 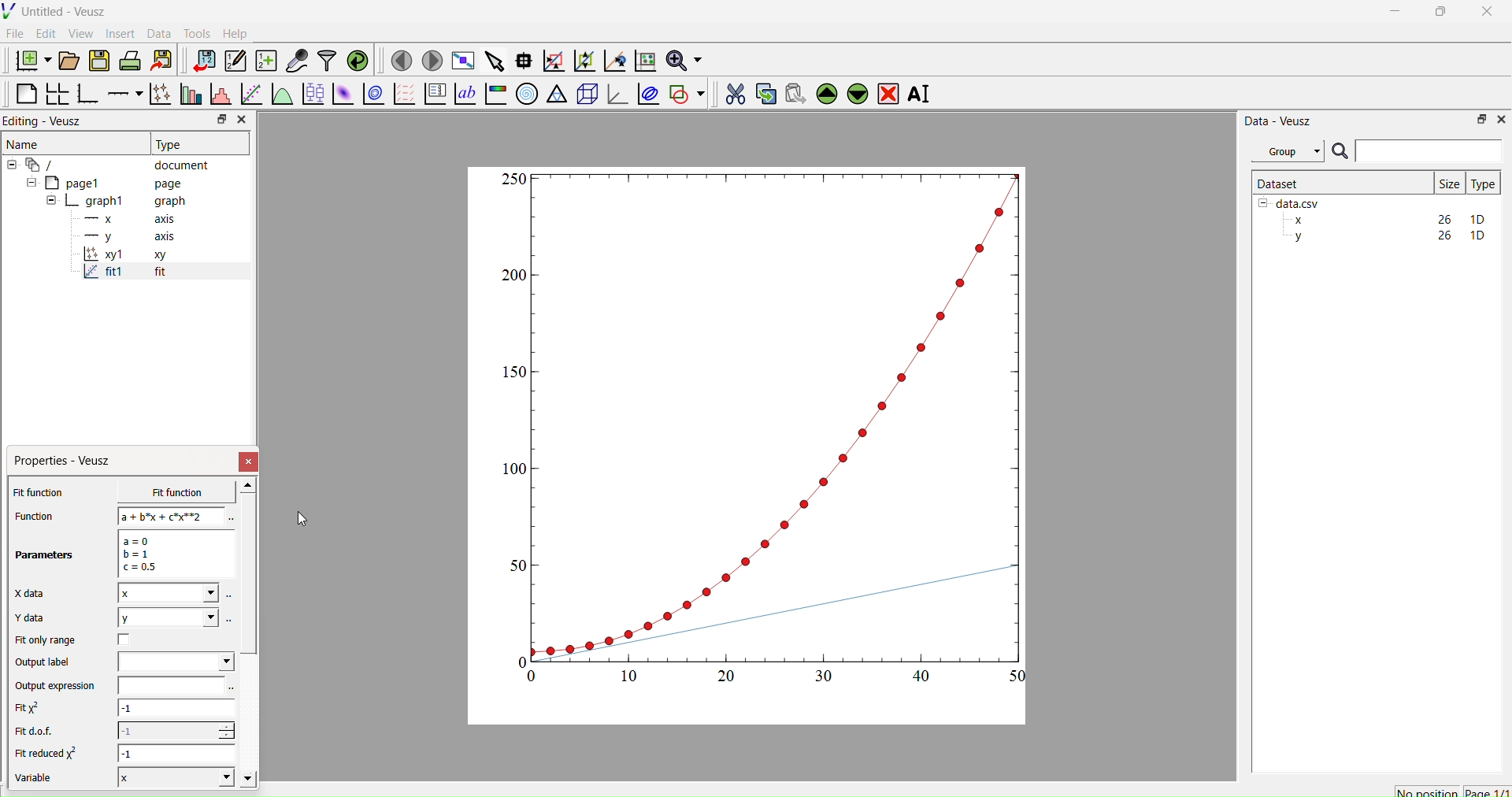 I want to click on Restore Down, so click(x=1477, y=118).